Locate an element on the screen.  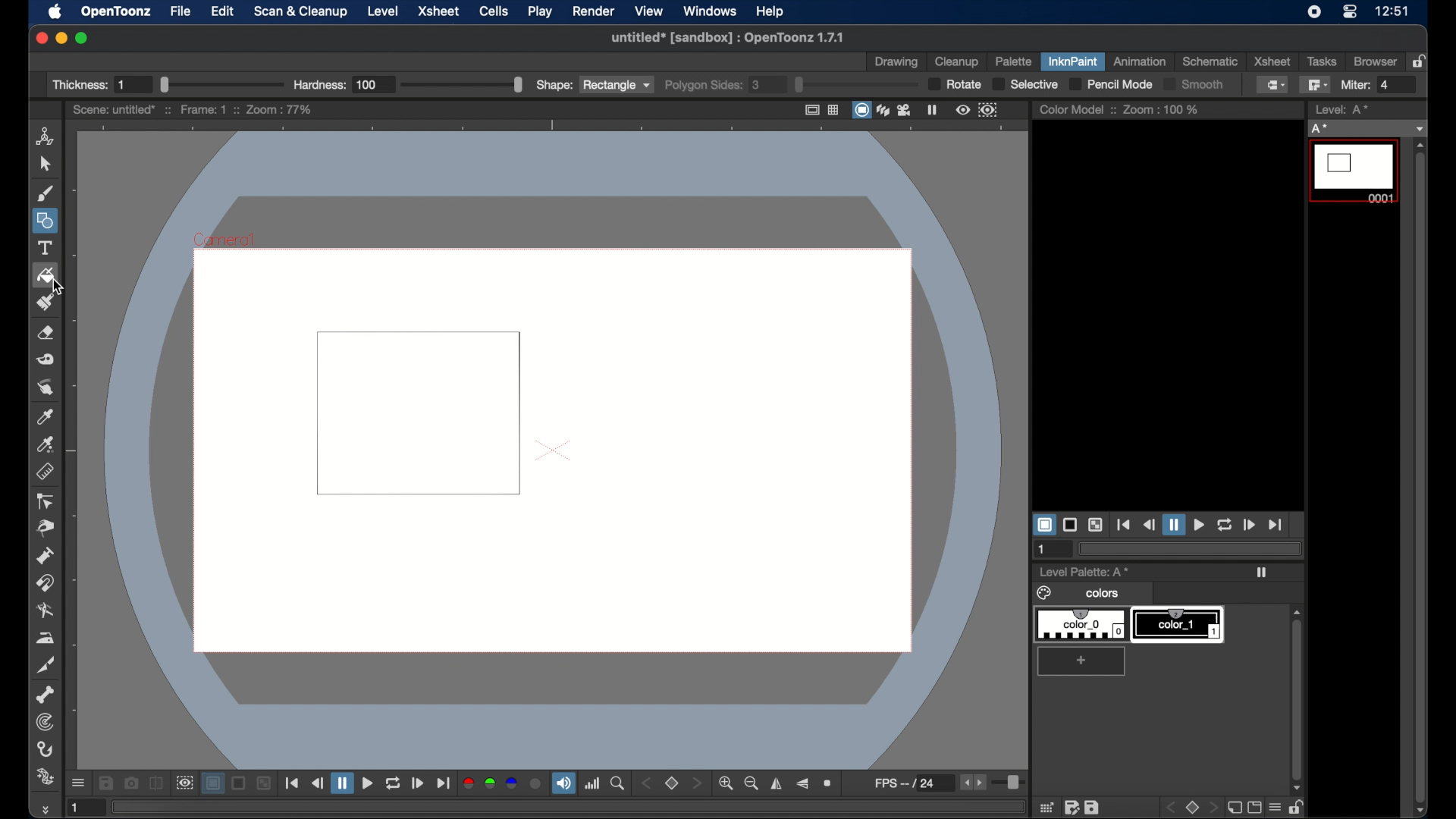
histogram is located at coordinates (592, 783).